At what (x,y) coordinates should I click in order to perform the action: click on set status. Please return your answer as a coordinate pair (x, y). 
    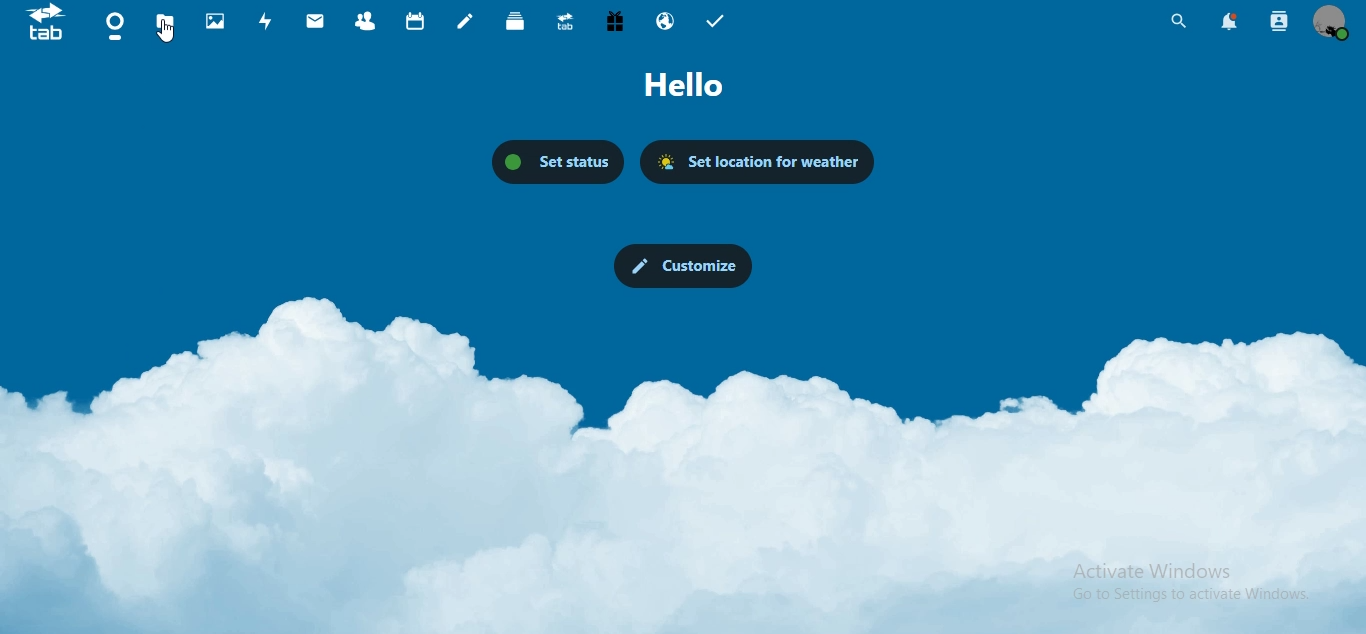
    Looking at the image, I should click on (559, 160).